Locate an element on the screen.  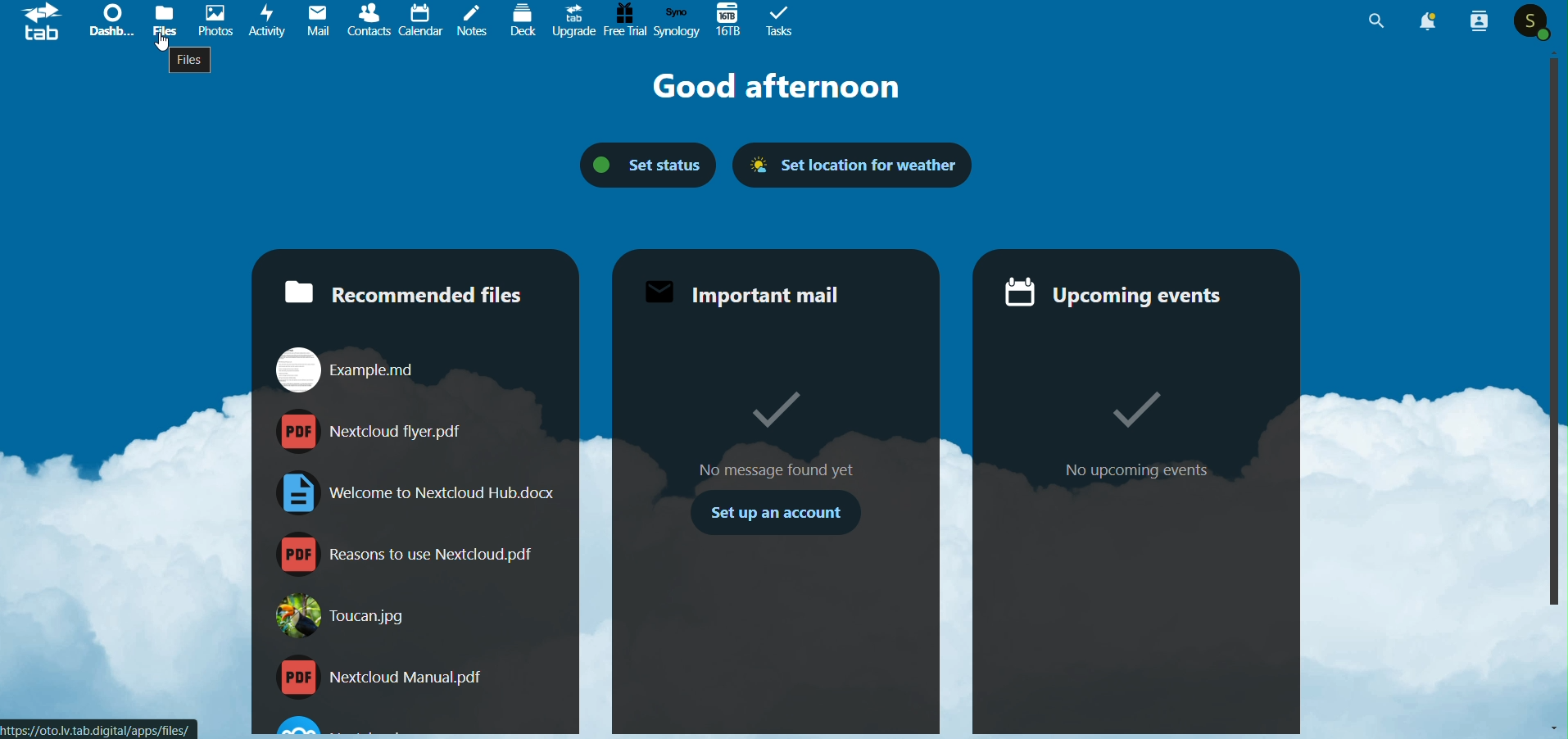
Nextcloud Manual.pdf is located at coordinates (395, 678).